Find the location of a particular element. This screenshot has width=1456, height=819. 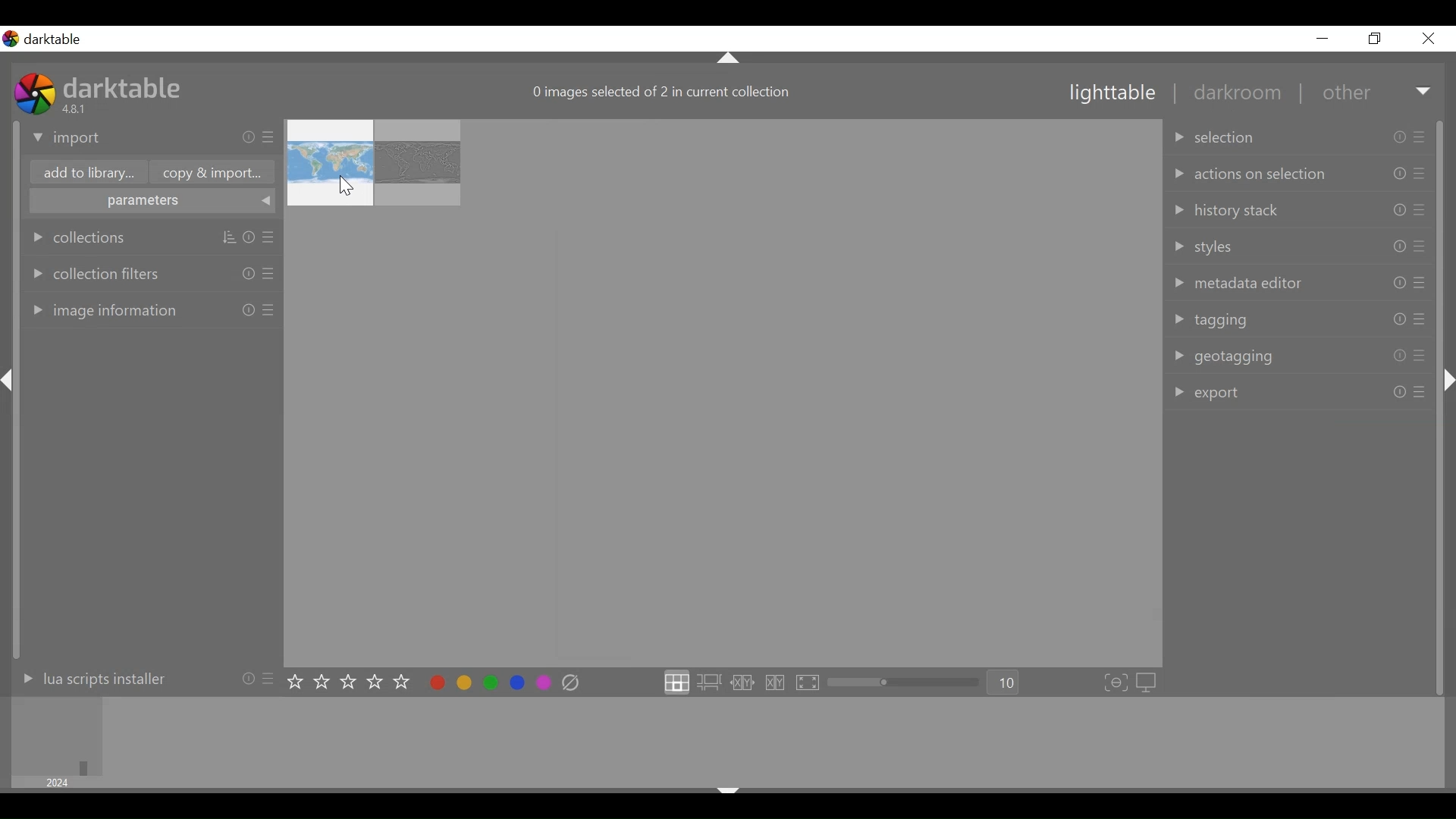

image 2 is located at coordinates (417, 163).